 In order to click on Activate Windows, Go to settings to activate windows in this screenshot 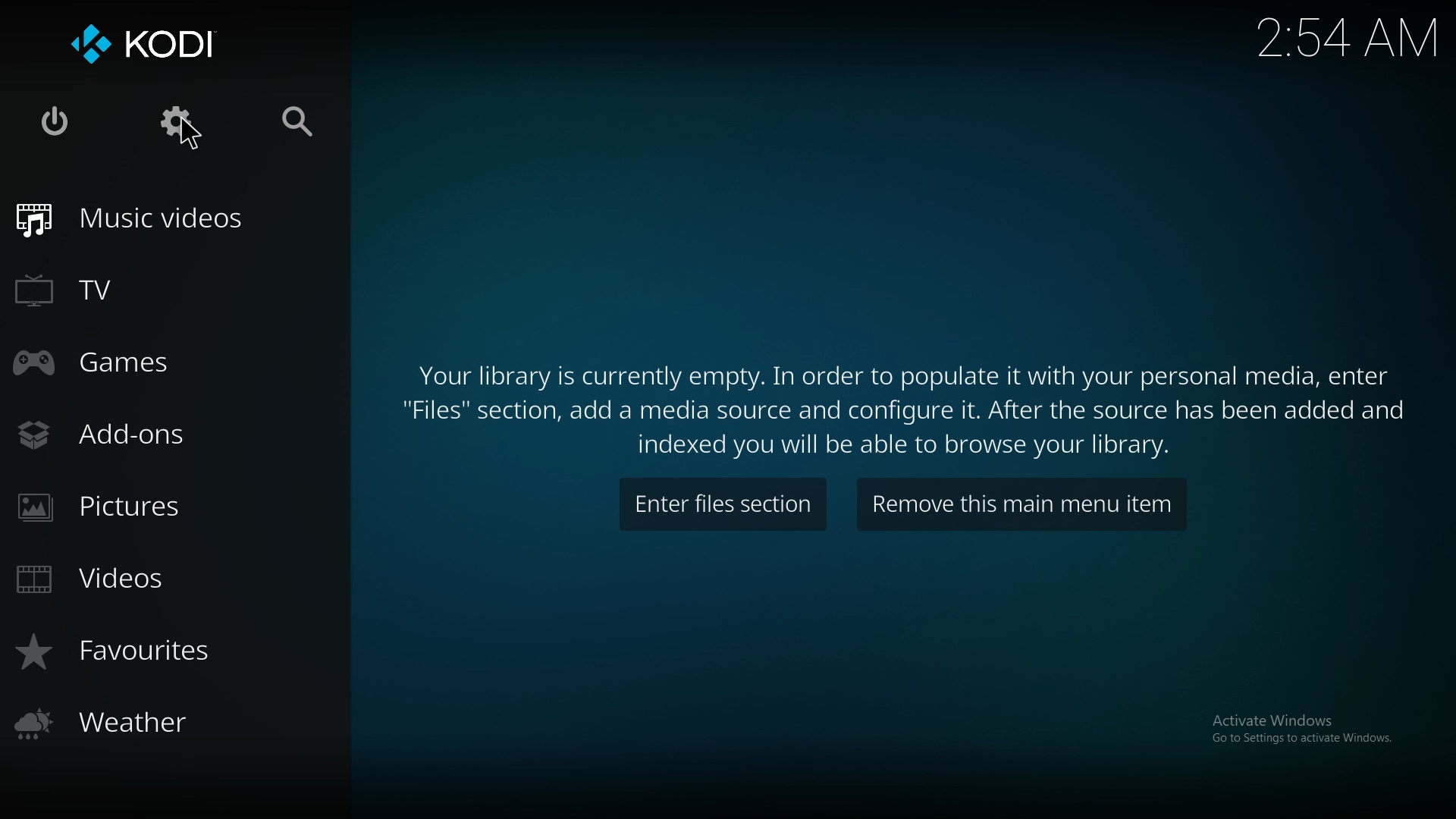, I will do `click(1301, 733)`.